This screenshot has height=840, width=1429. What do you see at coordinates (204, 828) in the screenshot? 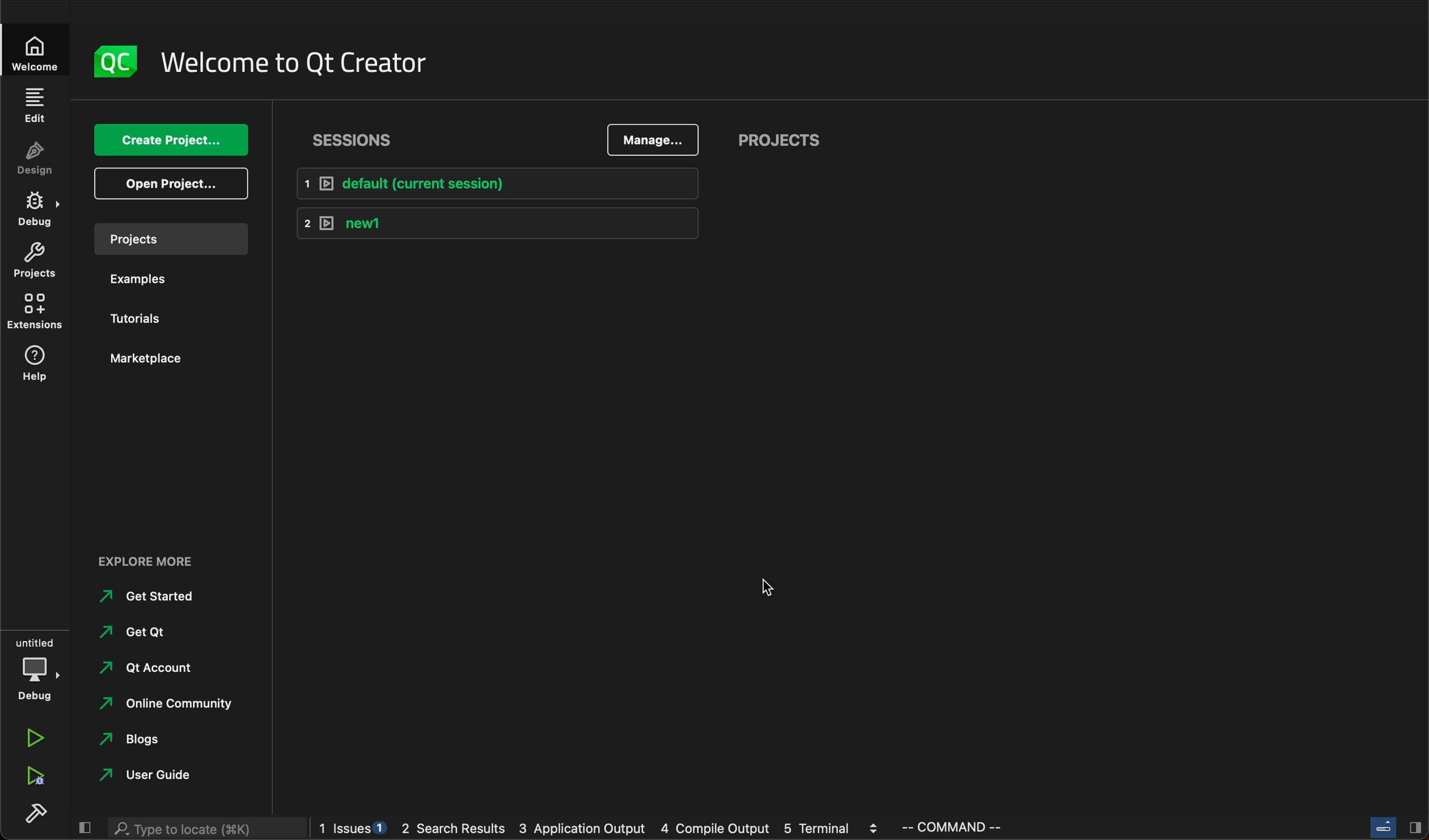
I see `search bar` at bounding box center [204, 828].